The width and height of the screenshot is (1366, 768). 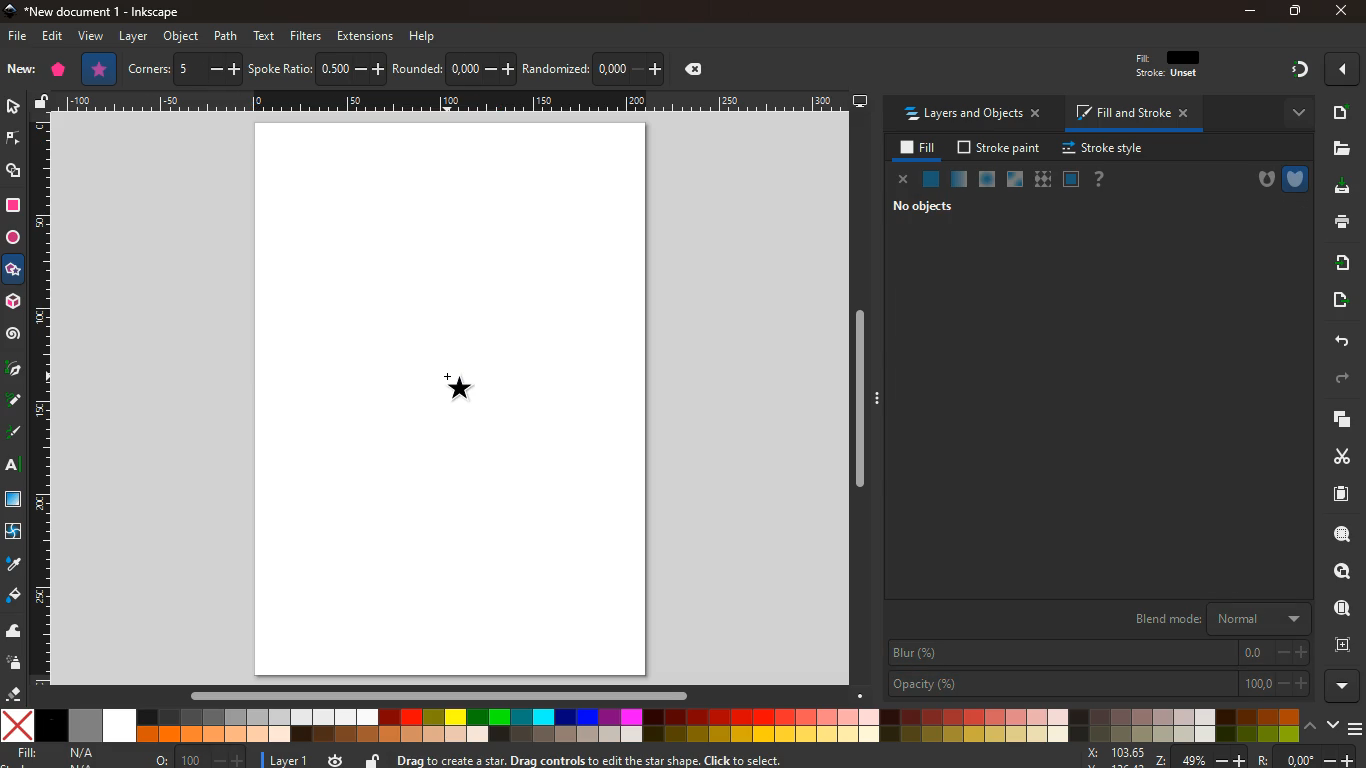 I want to click on frame, so click(x=1070, y=178).